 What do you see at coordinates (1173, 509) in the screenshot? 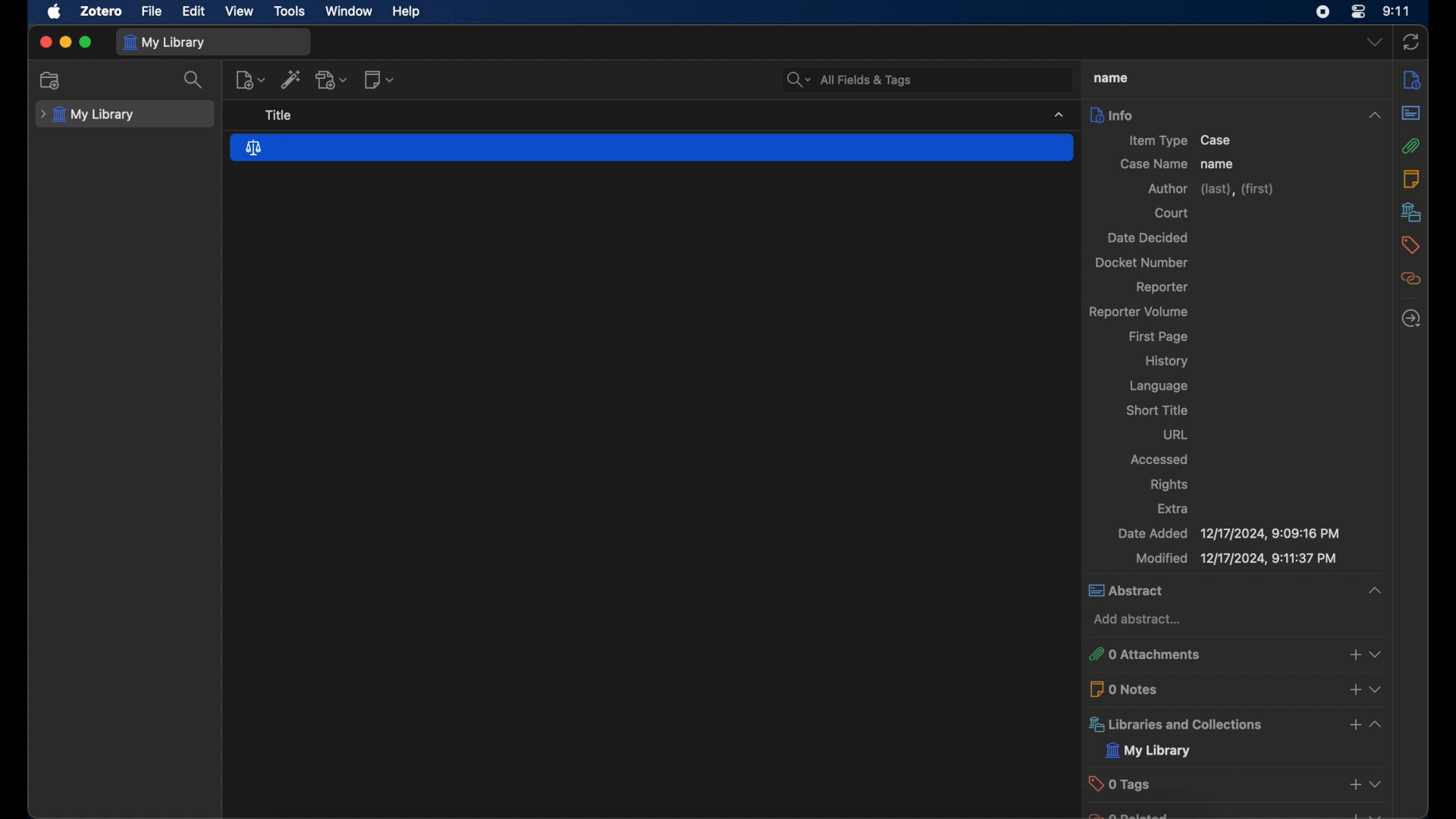
I see `extra` at bounding box center [1173, 509].